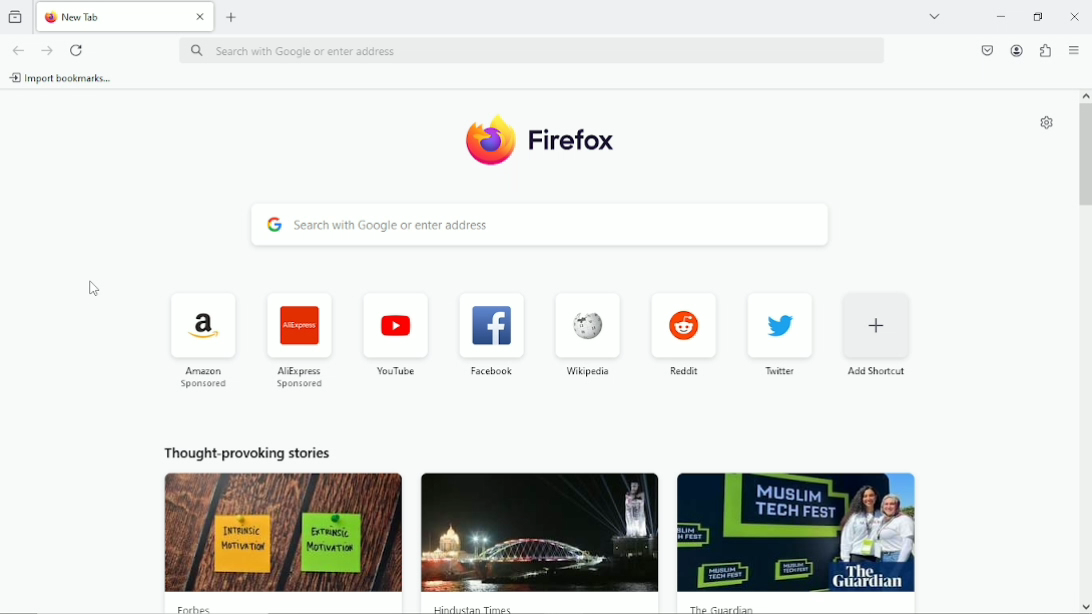  Describe the element at coordinates (1085, 607) in the screenshot. I see `scroll down` at that location.